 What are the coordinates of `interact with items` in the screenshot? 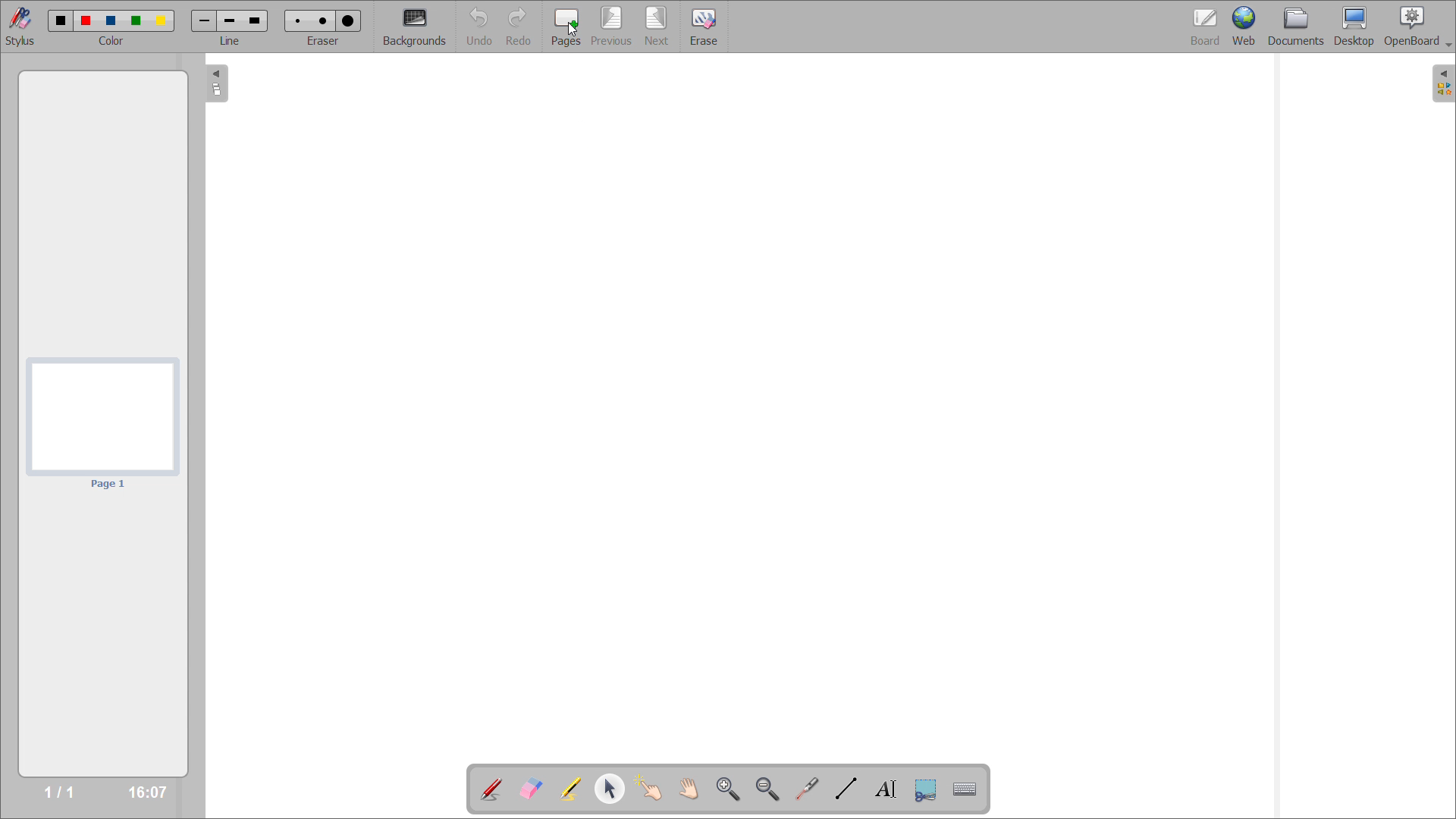 It's located at (648, 788).